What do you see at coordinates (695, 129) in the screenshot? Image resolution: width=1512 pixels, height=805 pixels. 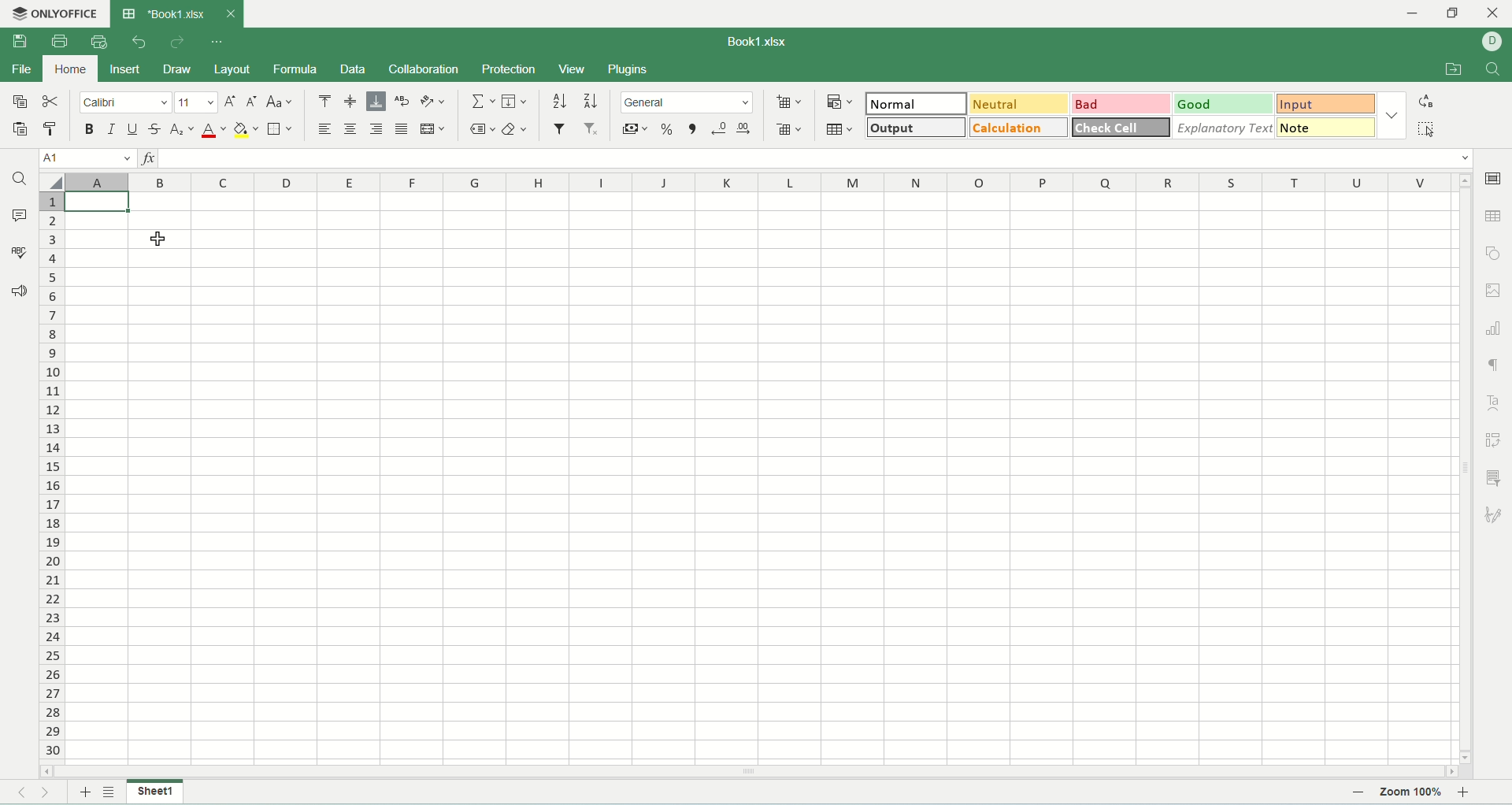 I see `comma style` at bounding box center [695, 129].